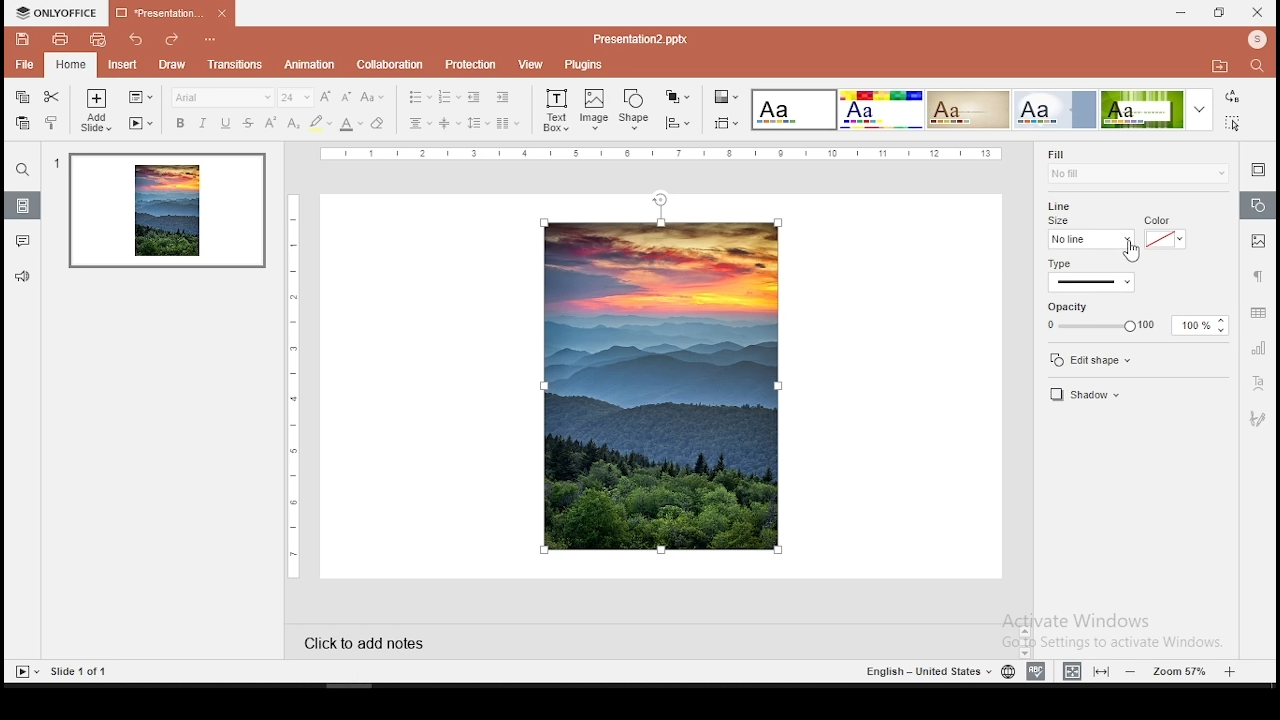 Image resolution: width=1280 pixels, height=720 pixels. I want to click on file, so click(23, 63).